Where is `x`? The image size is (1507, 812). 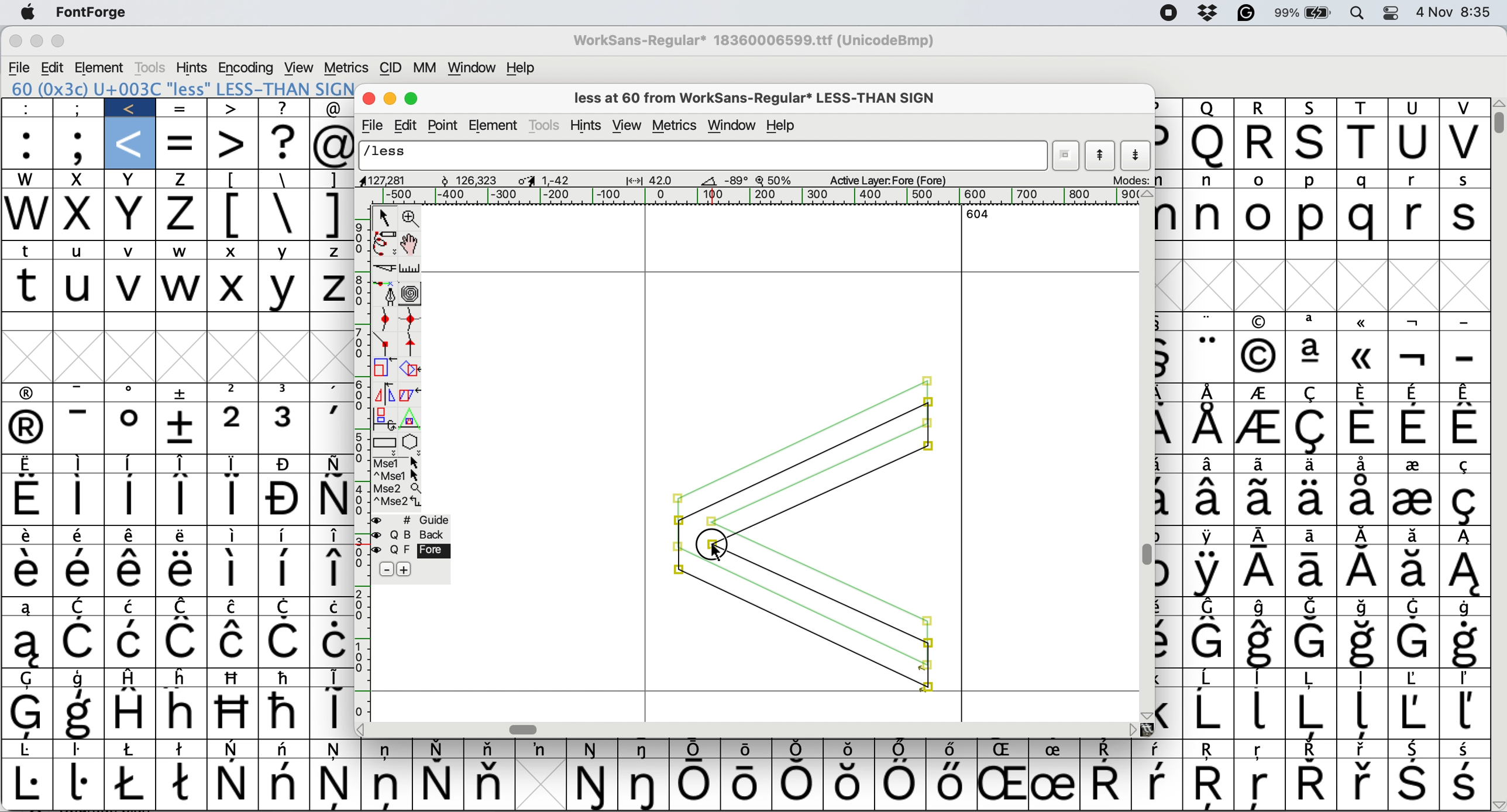 x is located at coordinates (80, 180).